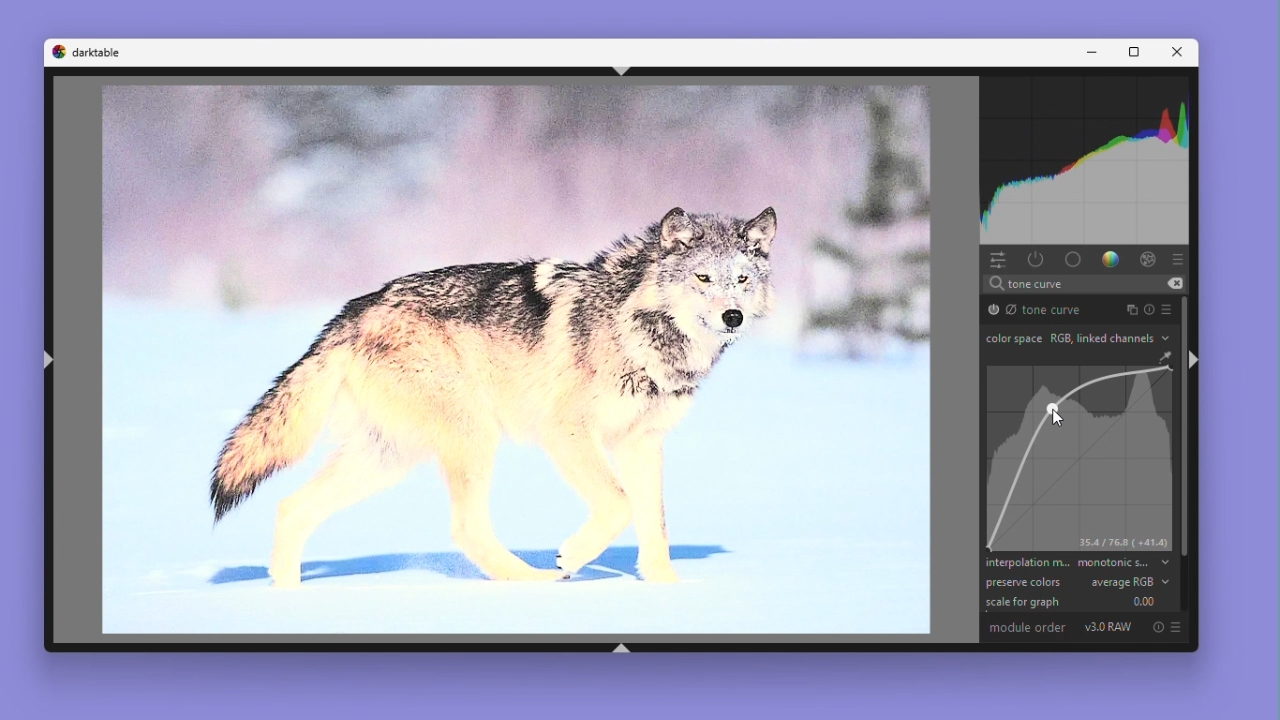  Describe the element at coordinates (1086, 163) in the screenshot. I see `Waveform` at that location.